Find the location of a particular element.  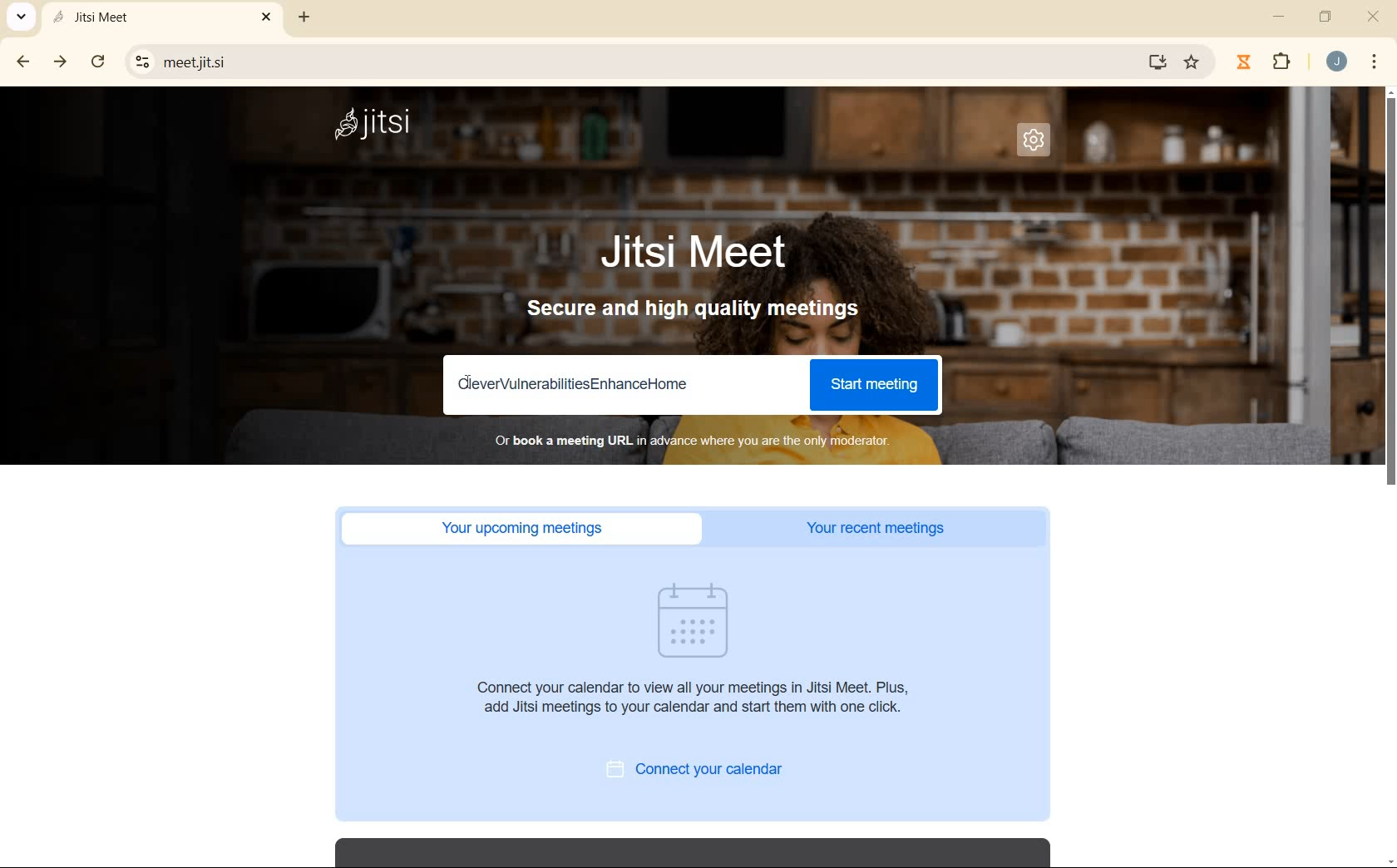

secure and high quality meetings is located at coordinates (701, 313).